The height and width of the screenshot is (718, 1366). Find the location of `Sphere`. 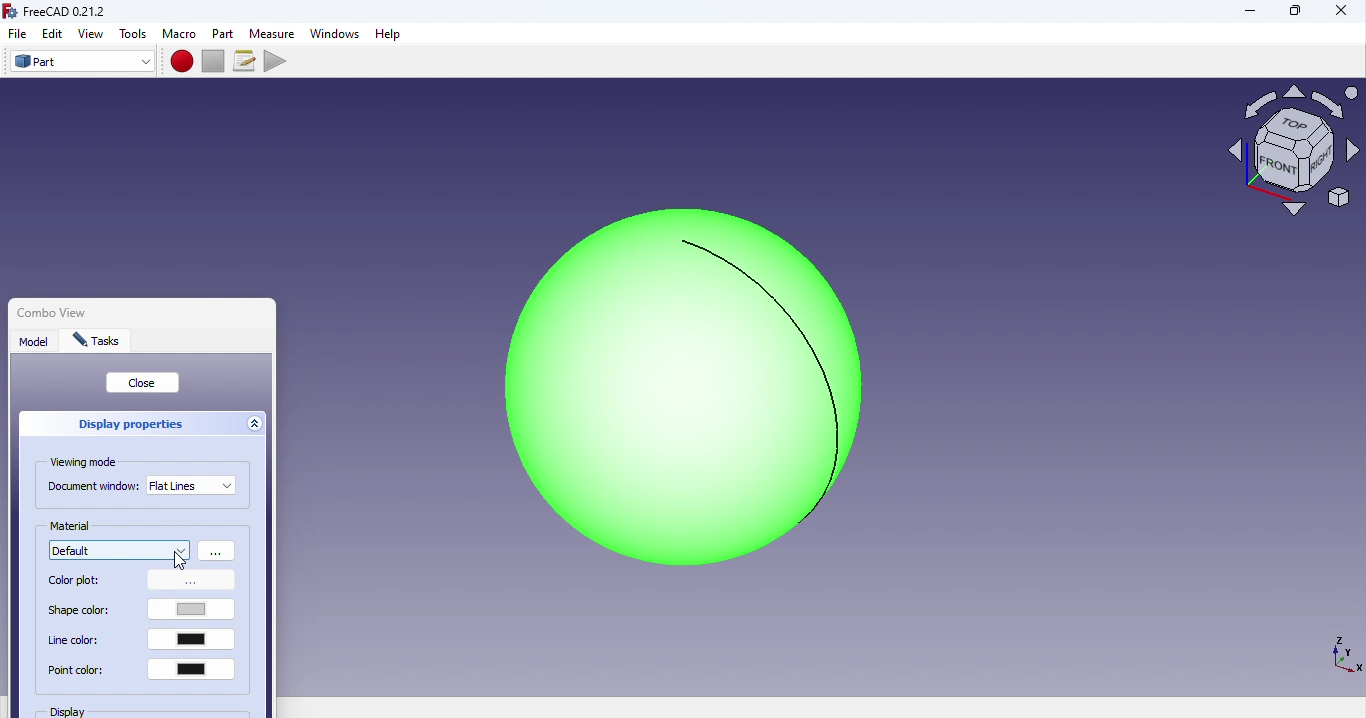

Sphere is located at coordinates (670, 387).